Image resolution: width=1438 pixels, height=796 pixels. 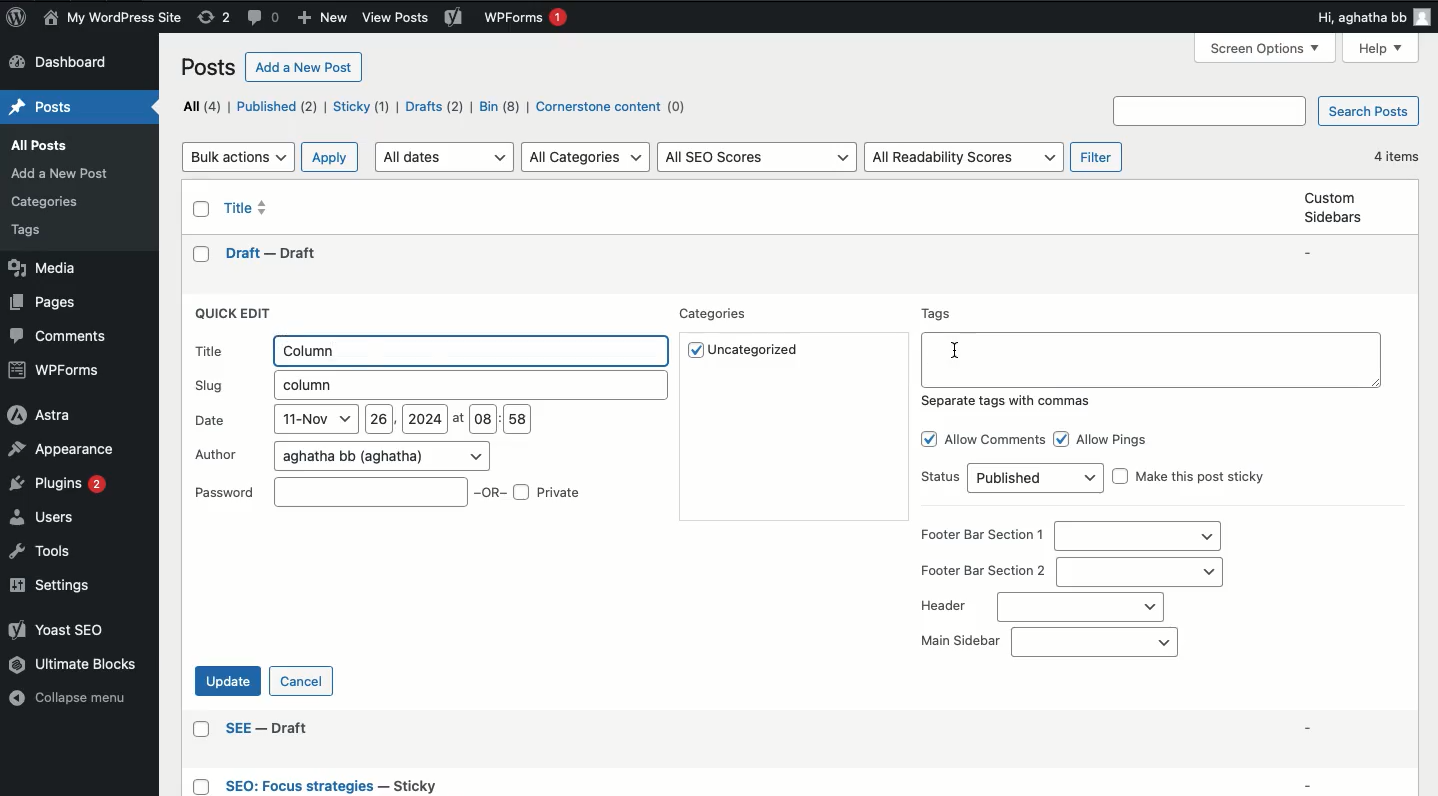 I want to click on Main sidebar, so click(x=1044, y=641).